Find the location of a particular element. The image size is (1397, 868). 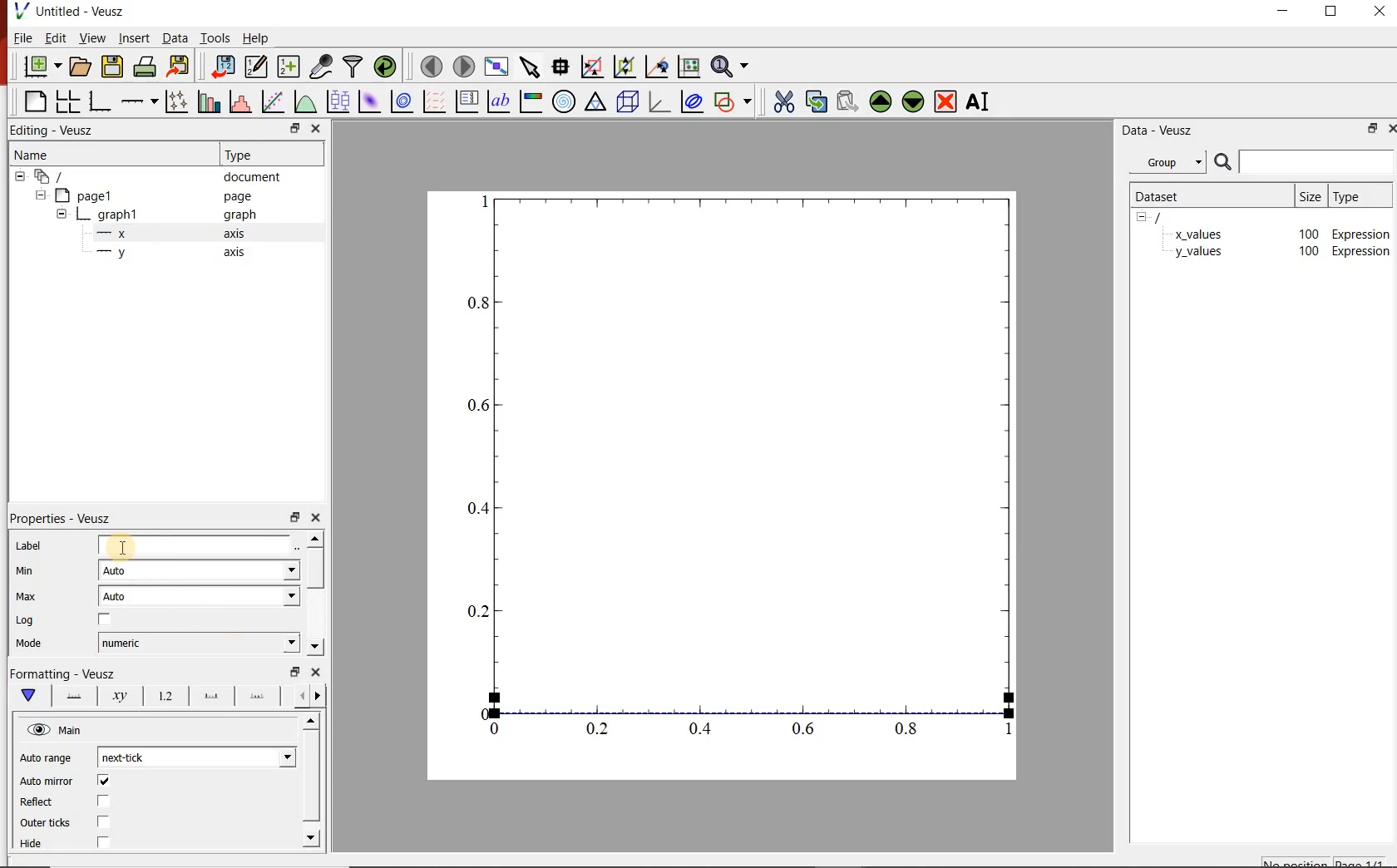

move down is located at coordinates (314, 646).